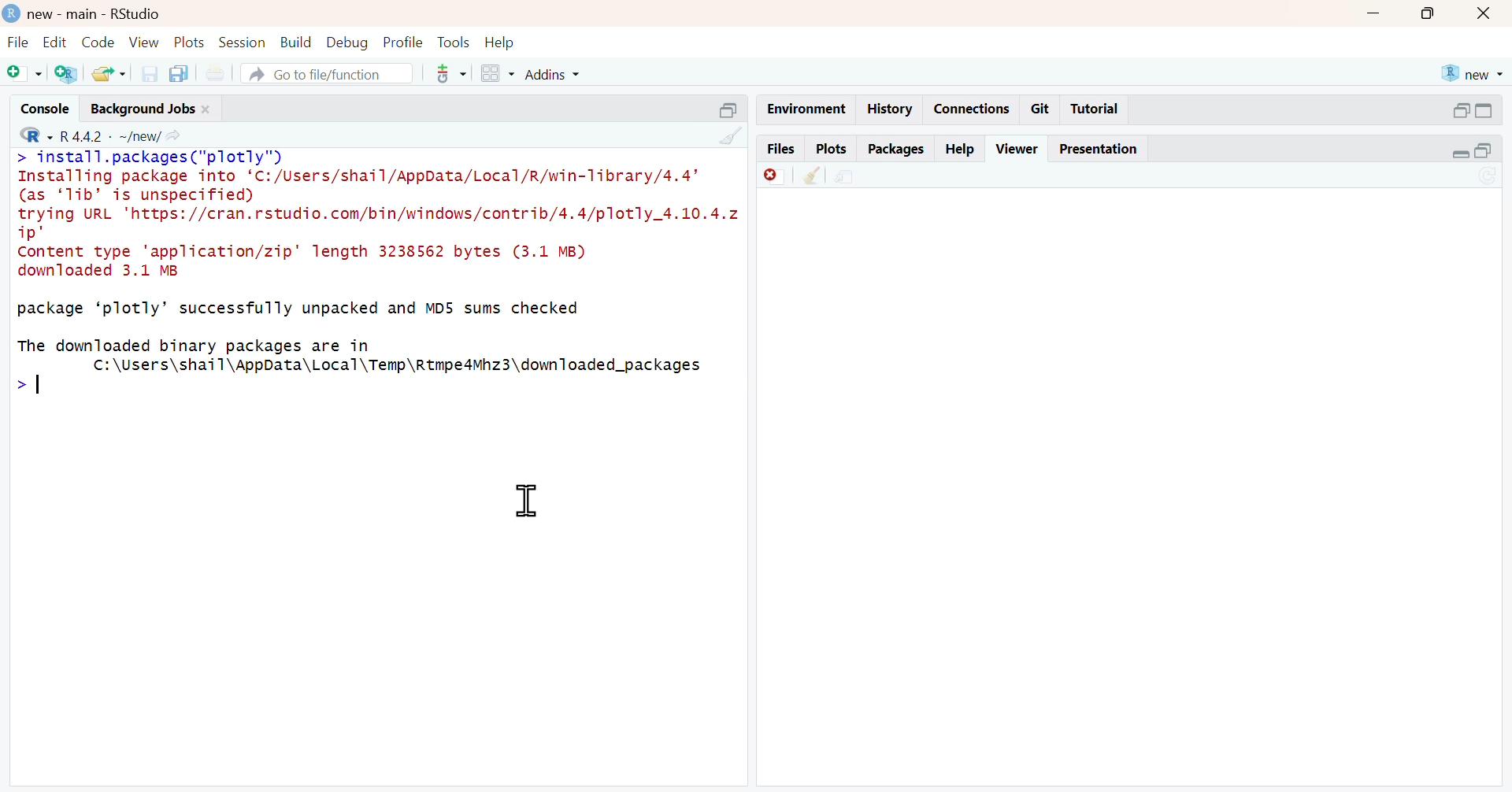 Image resolution: width=1512 pixels, height=792 pixels. Describe the element at coordinates (495, 73) in the screenshot. I see `workspace panes` at that location.